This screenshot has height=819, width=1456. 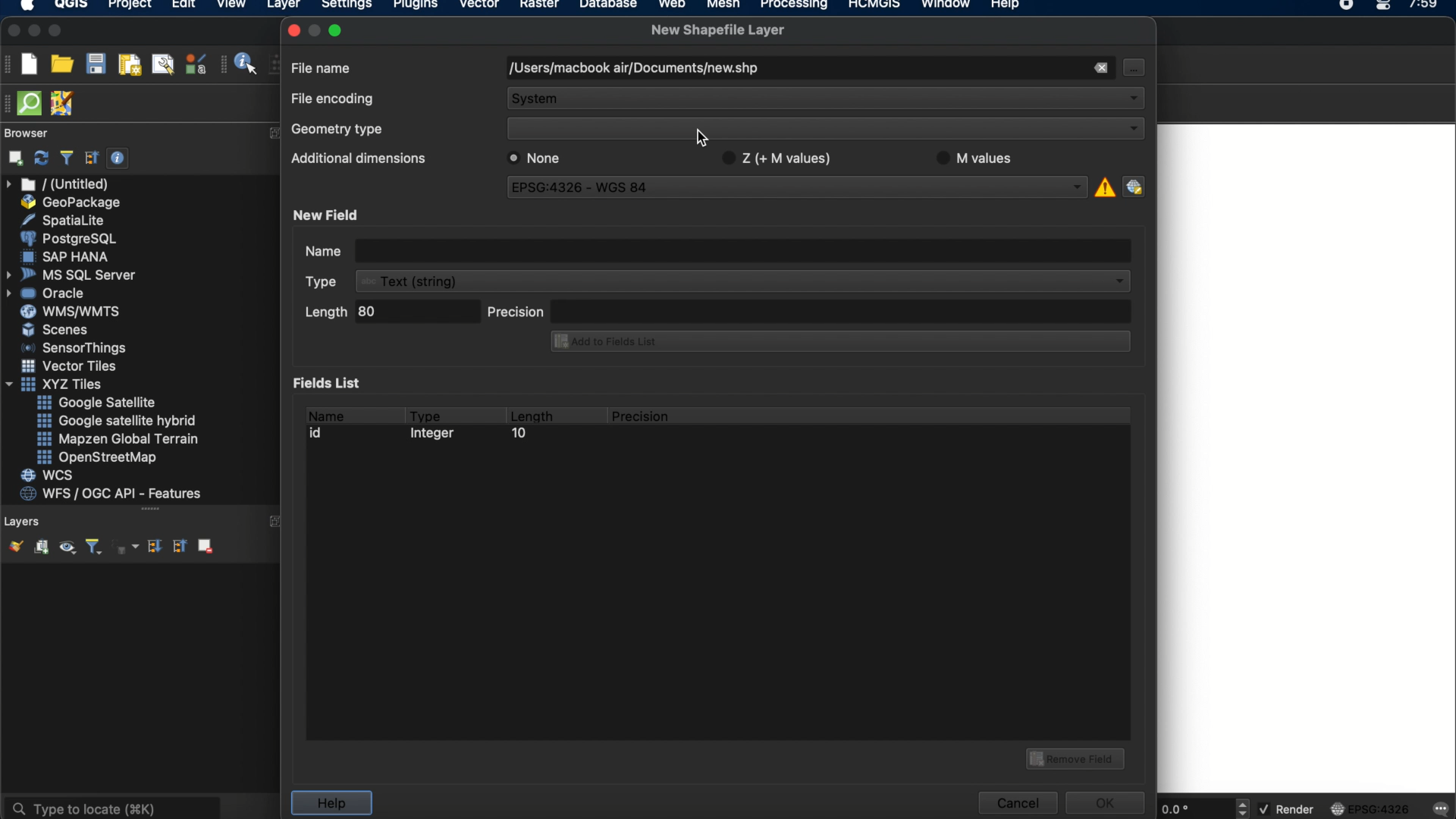 I want to click on precision, so click(x=642, y=416).